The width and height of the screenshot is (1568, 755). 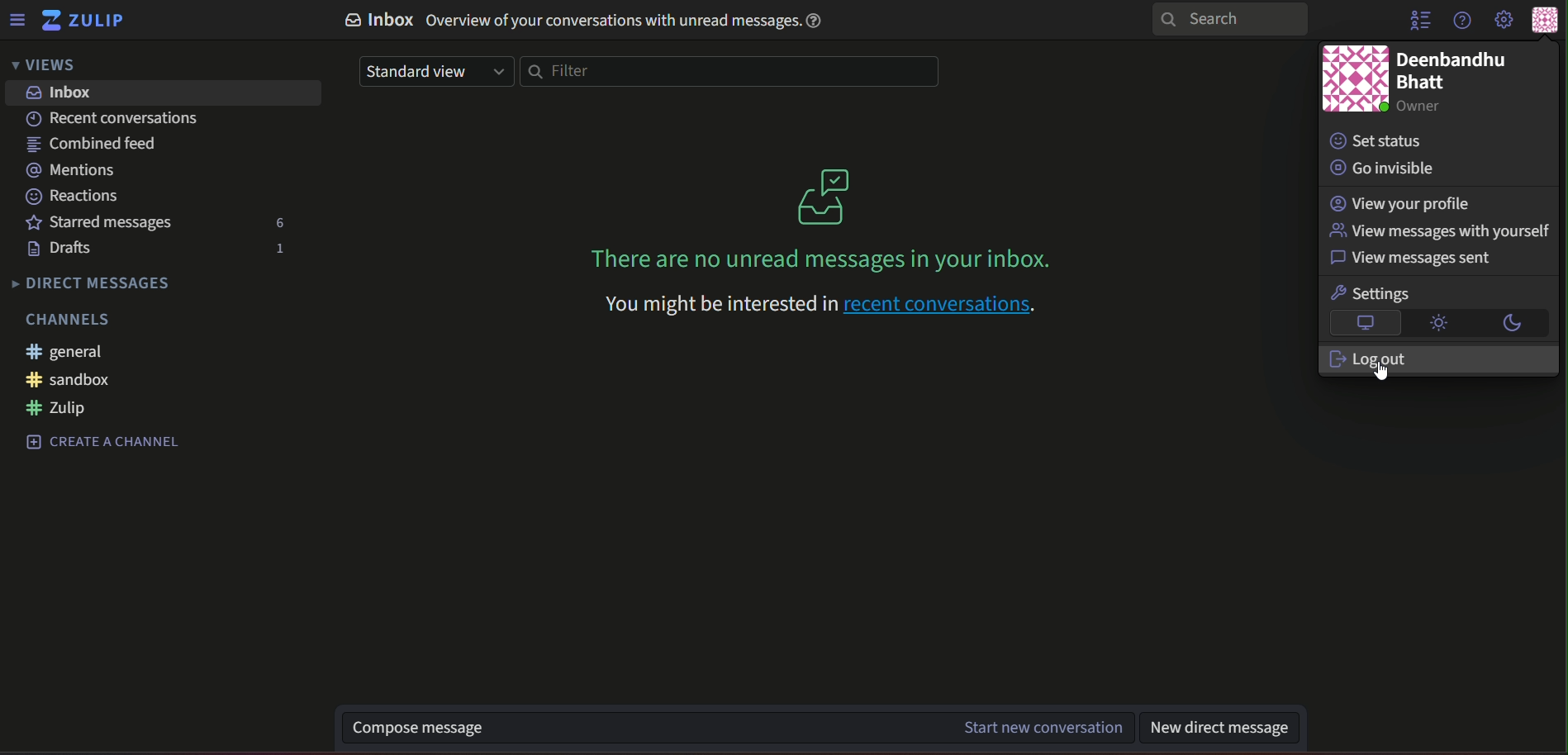 What do you see at coordinates (16, 20) in the screenshot?
I see `menu` at bounding box center [16, 20].